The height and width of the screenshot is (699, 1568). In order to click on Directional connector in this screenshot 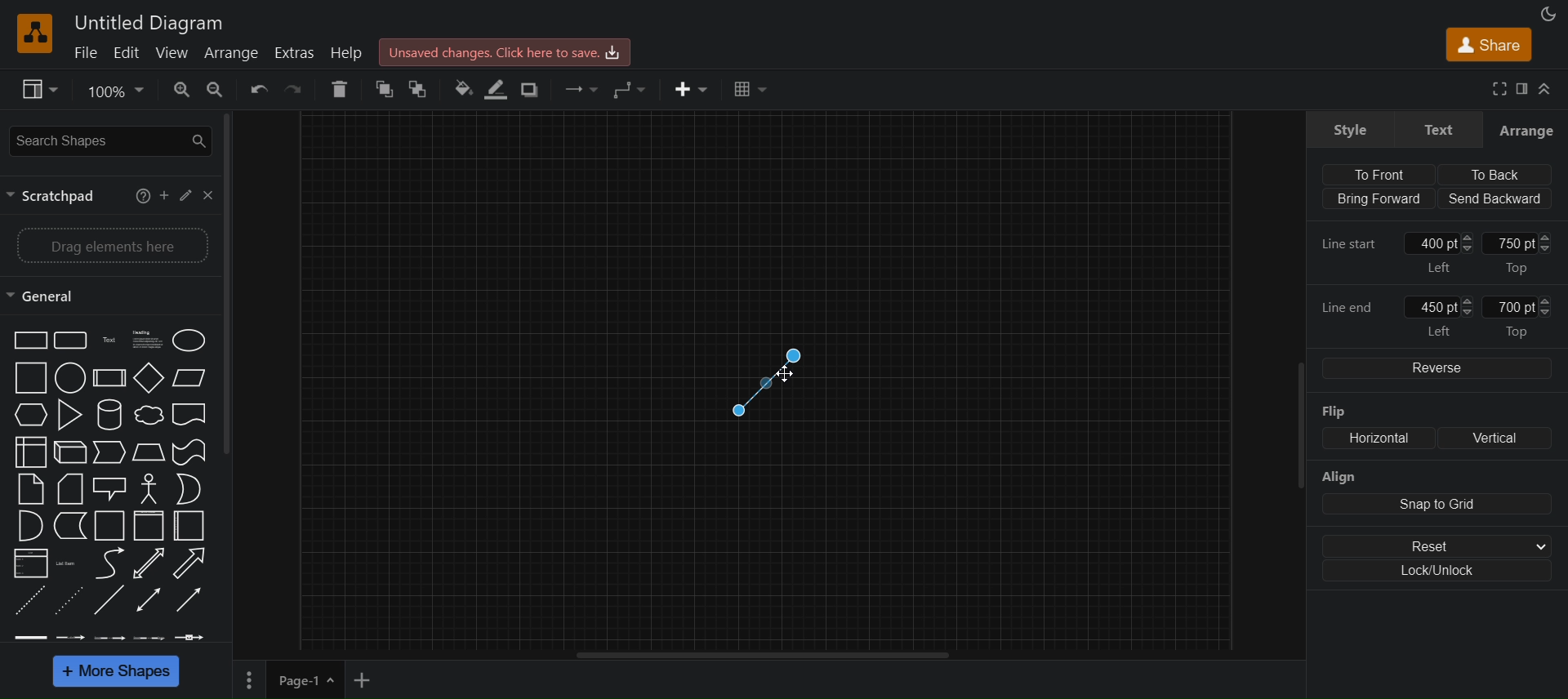, I will do `click(191, 602)`.